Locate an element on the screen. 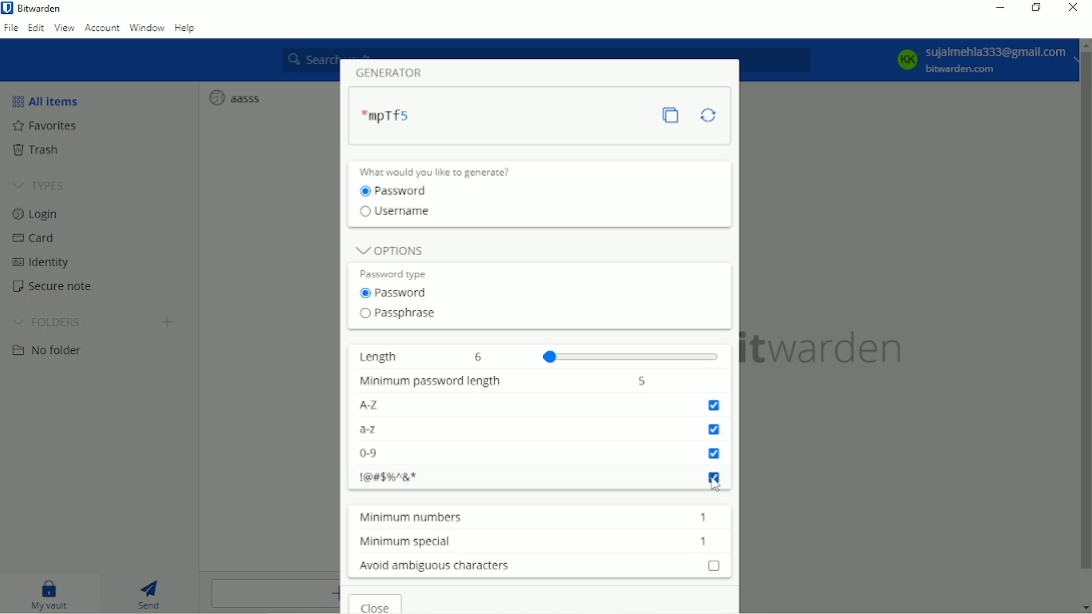  Password generated is located at coordinates (394, 113).